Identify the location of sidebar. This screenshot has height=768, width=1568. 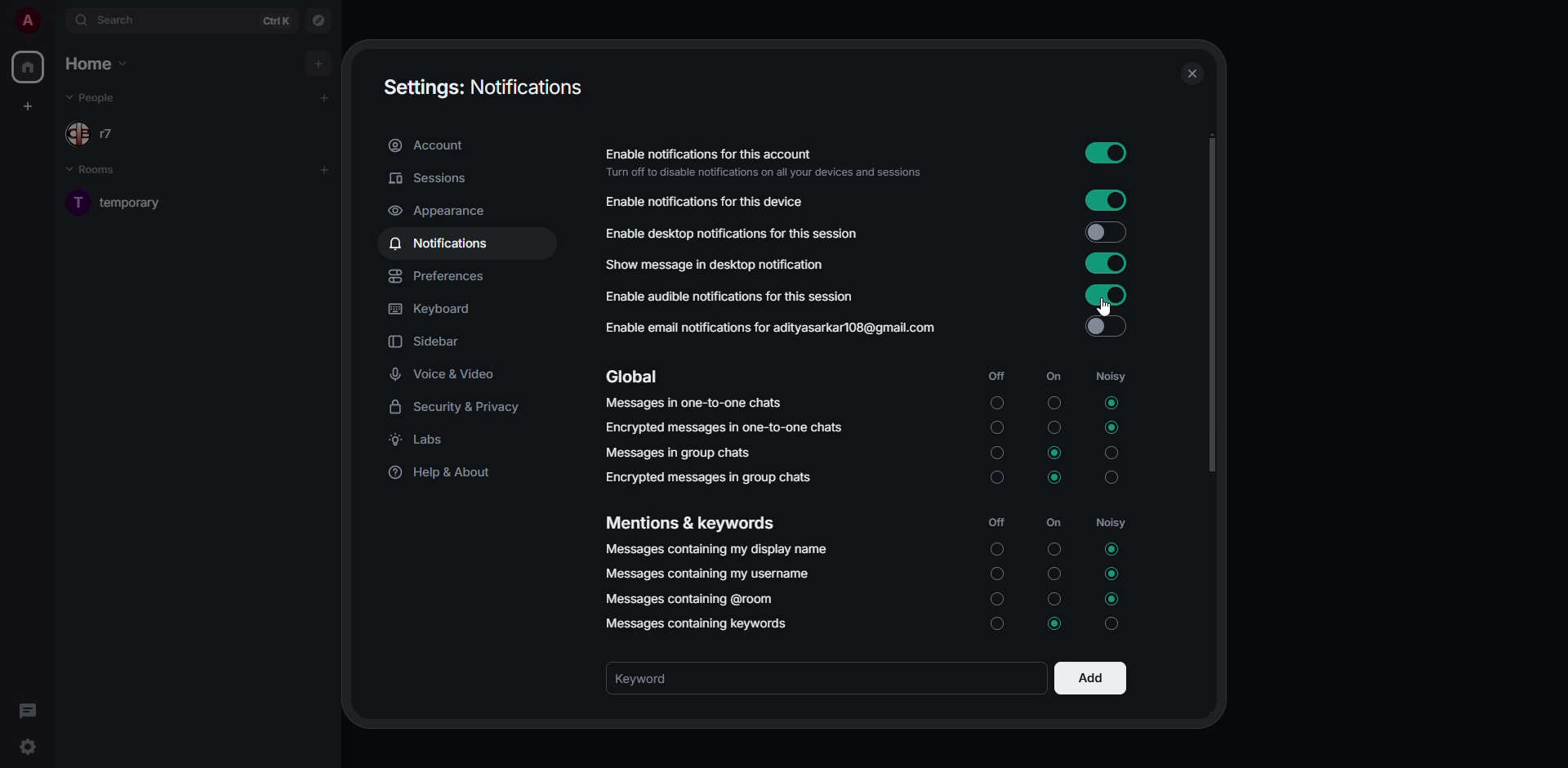
(429, 342).